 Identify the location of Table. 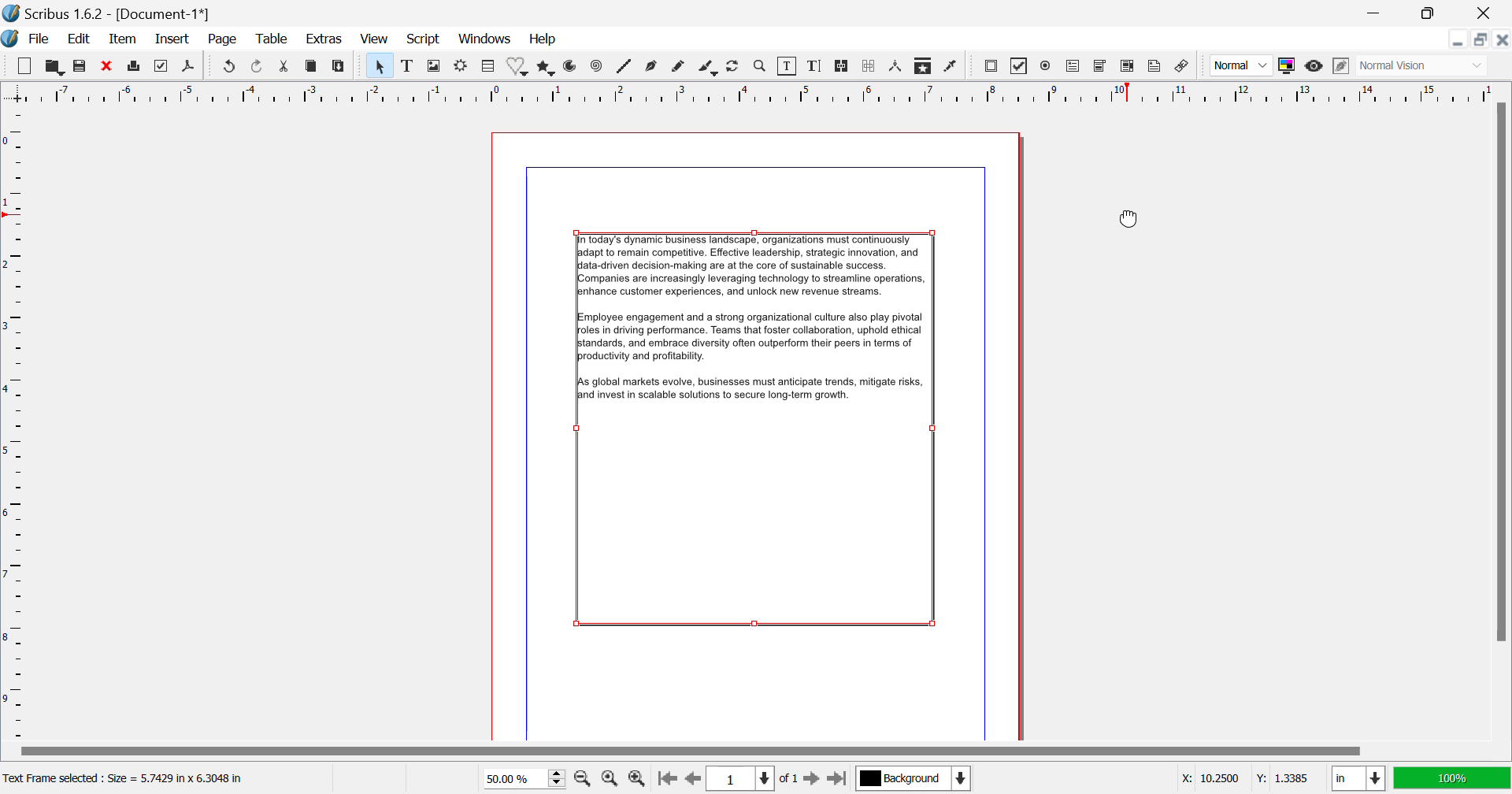
(272, 40).